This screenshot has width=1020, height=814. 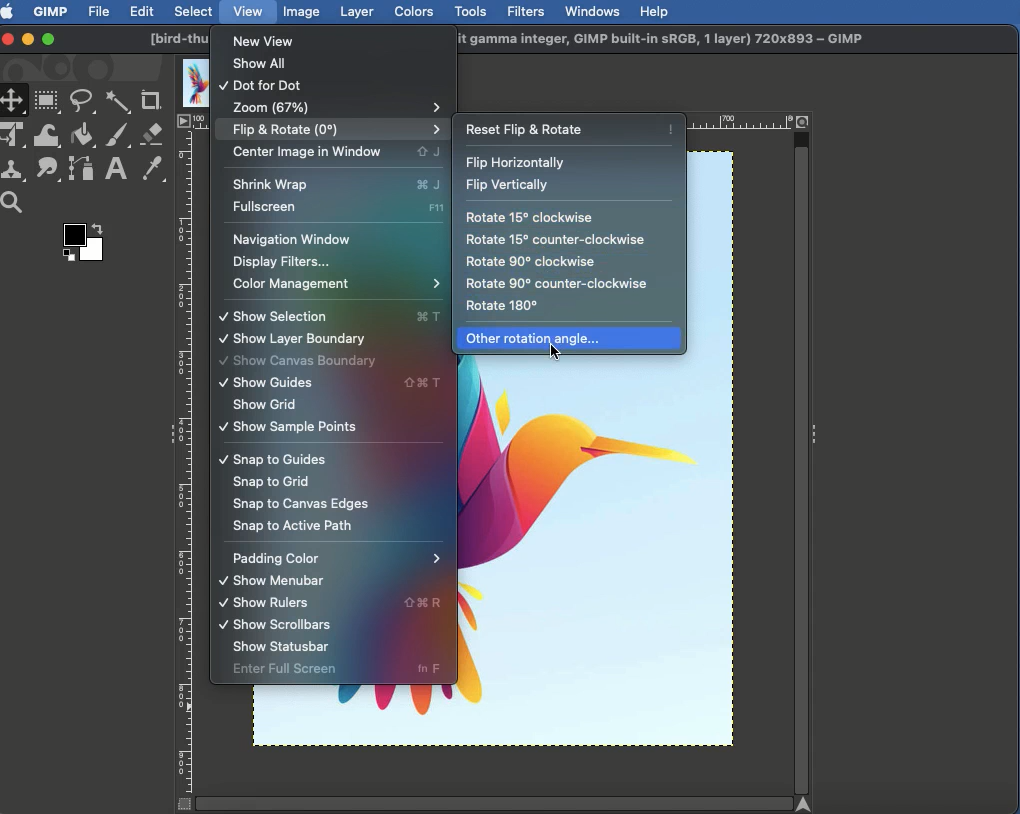 I want to click on Reset flip and rotate, so click(x=570, y=126).